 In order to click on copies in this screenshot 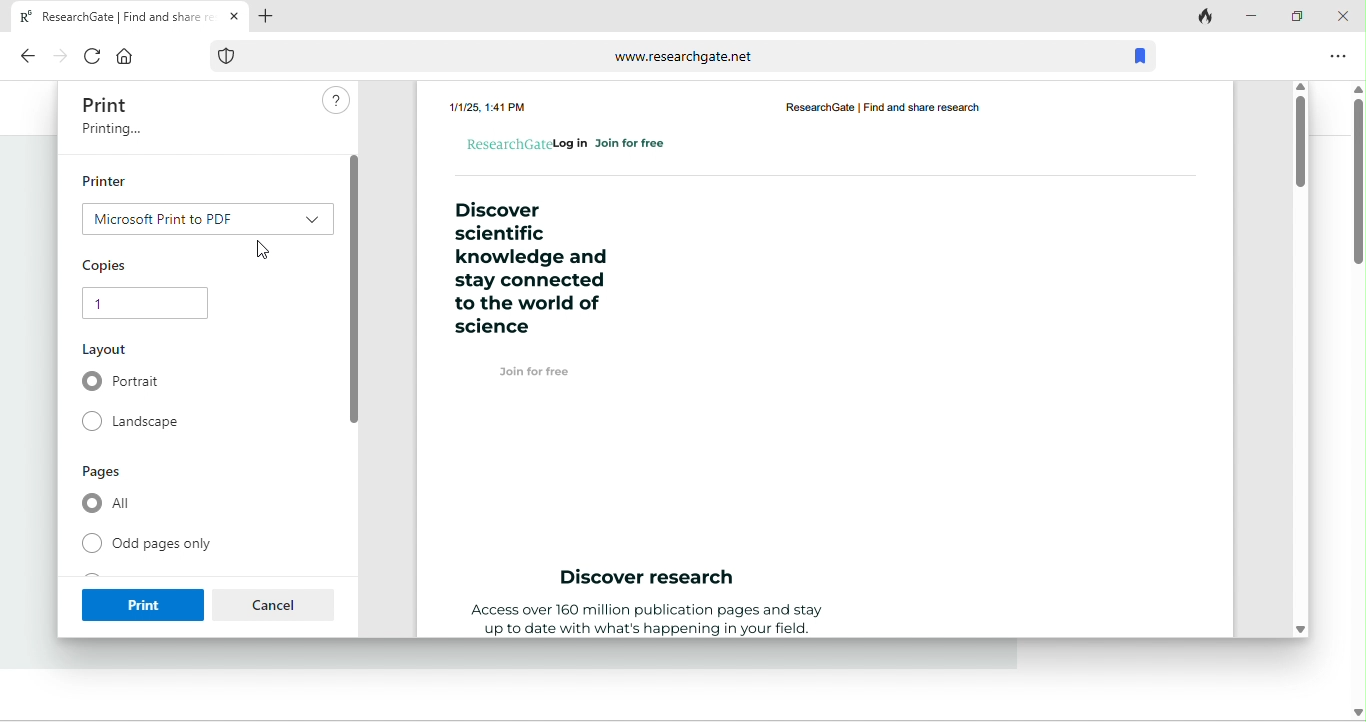, I will do `click(108, 263)`.